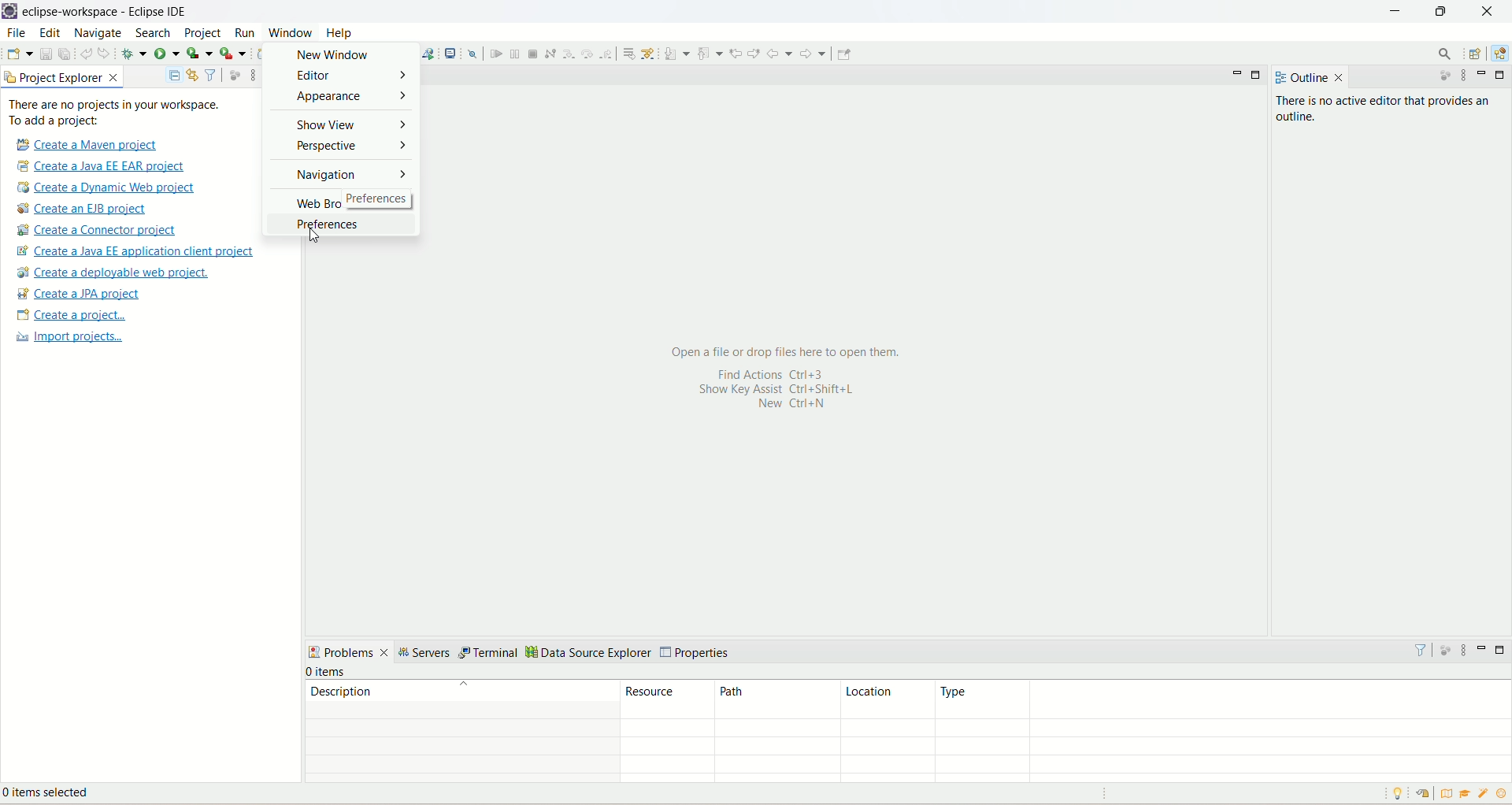  I want to click on undo, so click(86, 52).